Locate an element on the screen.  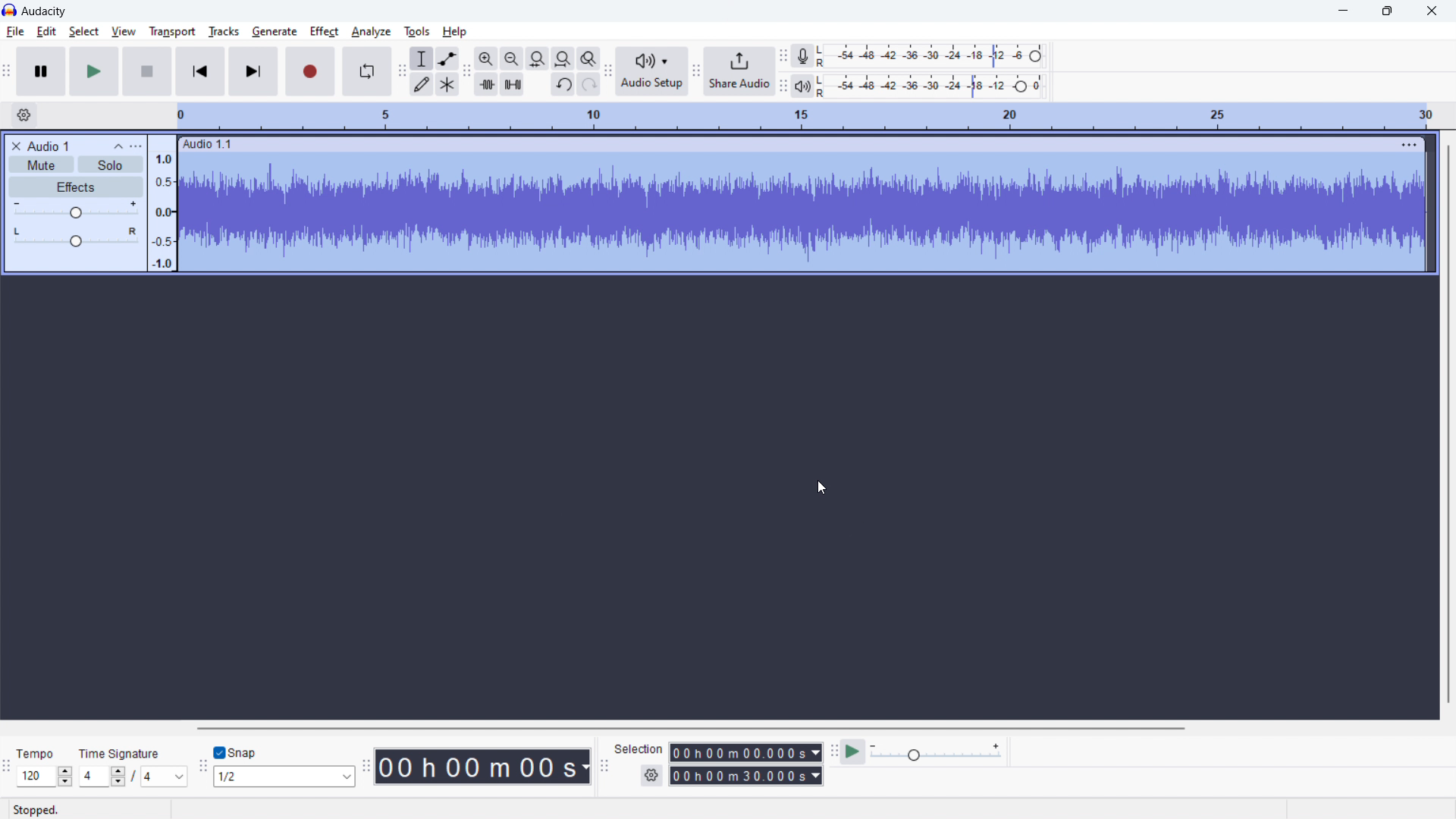
effects is located at coordinates (75, 186).